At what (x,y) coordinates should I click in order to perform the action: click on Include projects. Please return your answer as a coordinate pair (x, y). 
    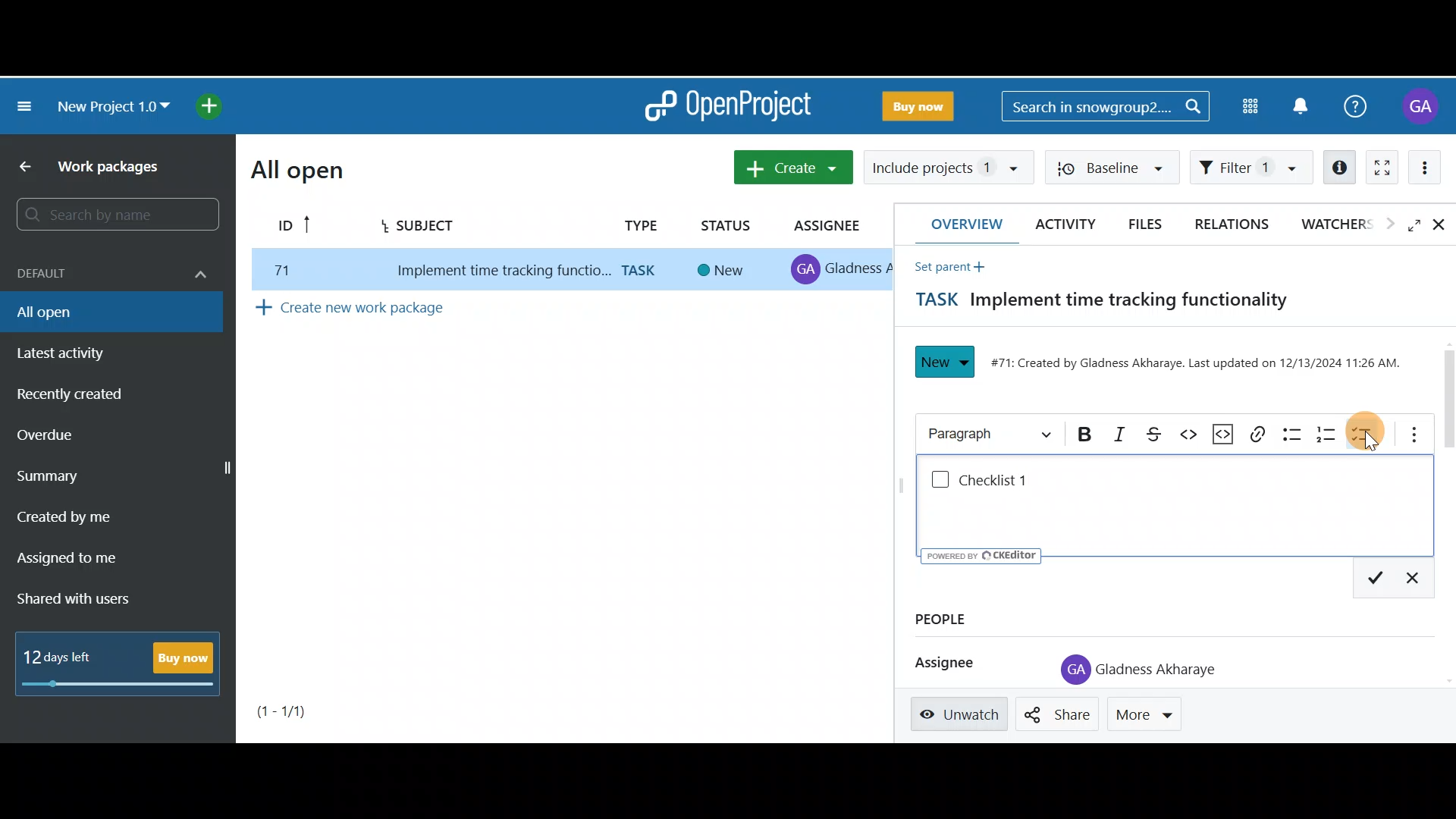
    Looking at the image, I should click on (946, 166).